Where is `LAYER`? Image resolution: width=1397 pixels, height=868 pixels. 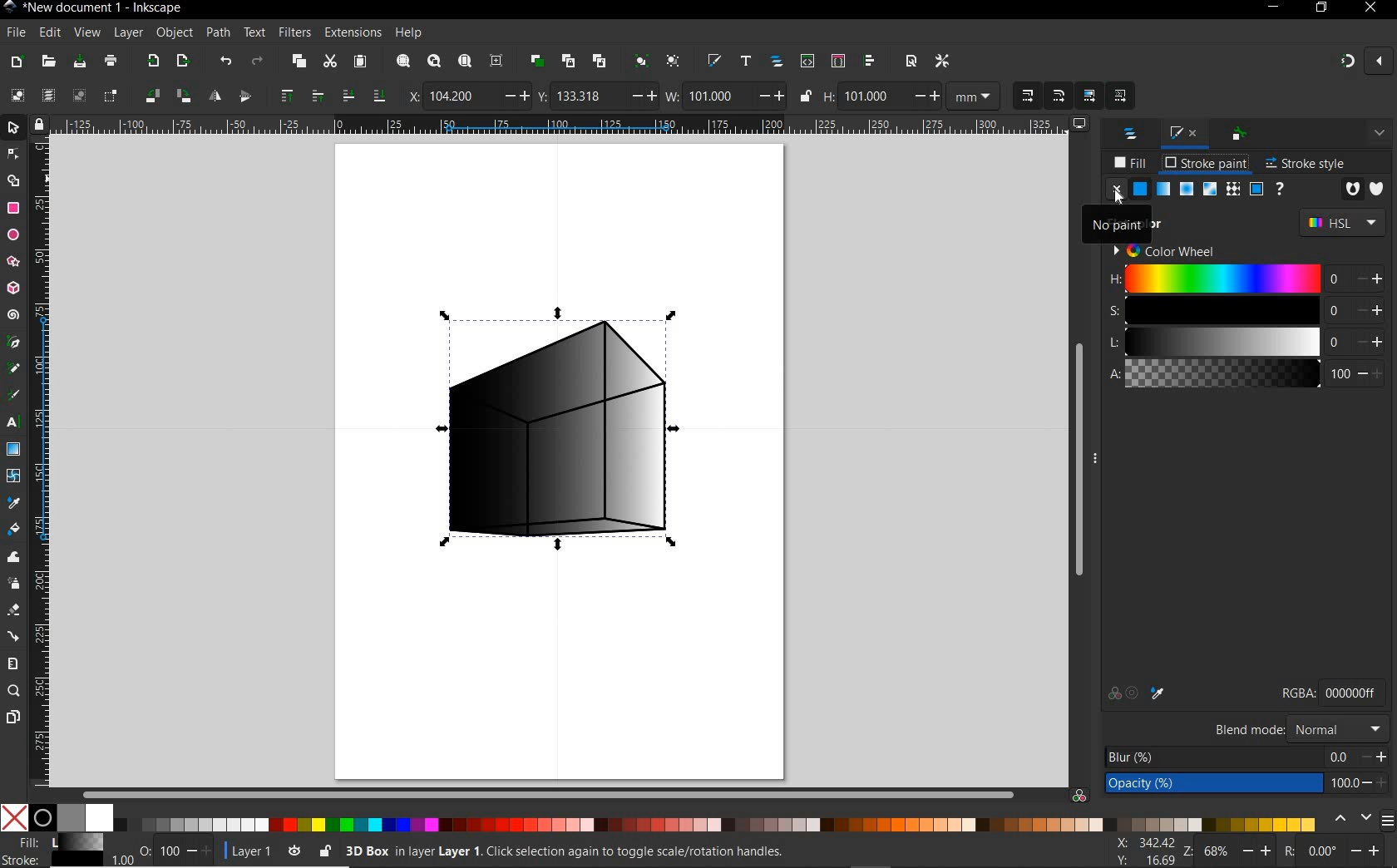
LAYER is located at coordinates (126, 32).